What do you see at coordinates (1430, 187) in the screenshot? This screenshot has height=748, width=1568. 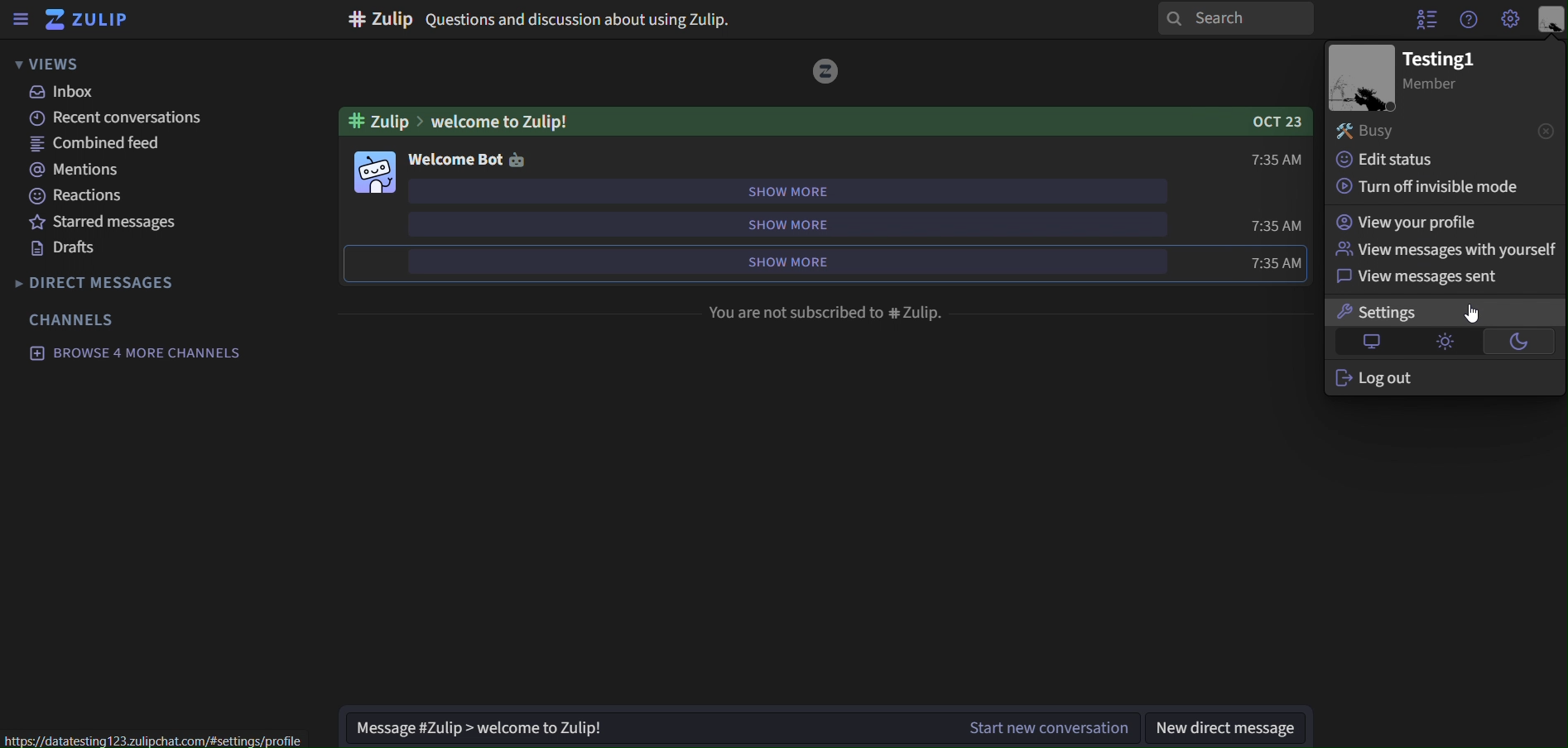 I see `turn off invisible mode` at bounding box center [1430, 187].